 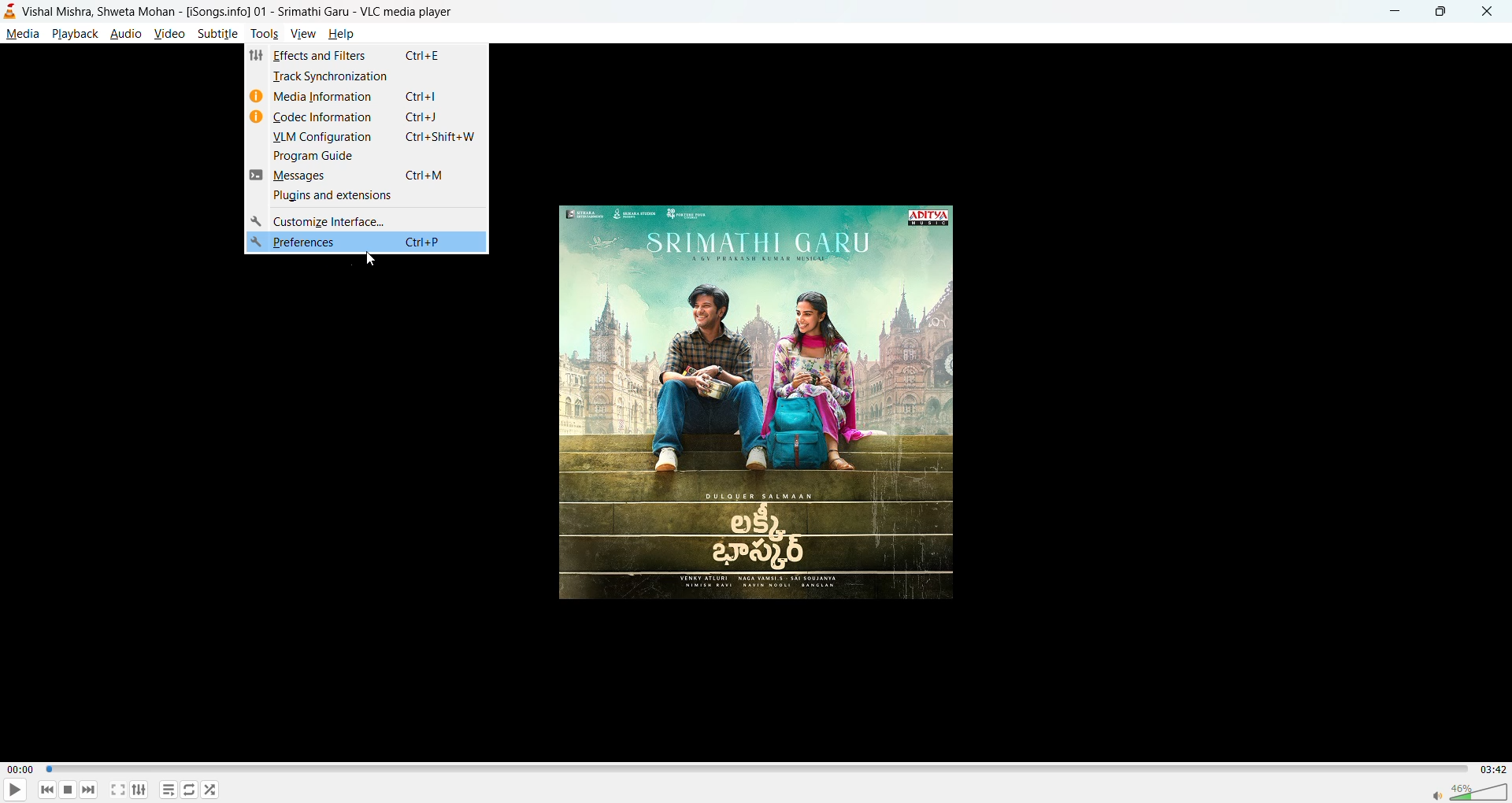 I want to click on video, so click(x=171, y=33).